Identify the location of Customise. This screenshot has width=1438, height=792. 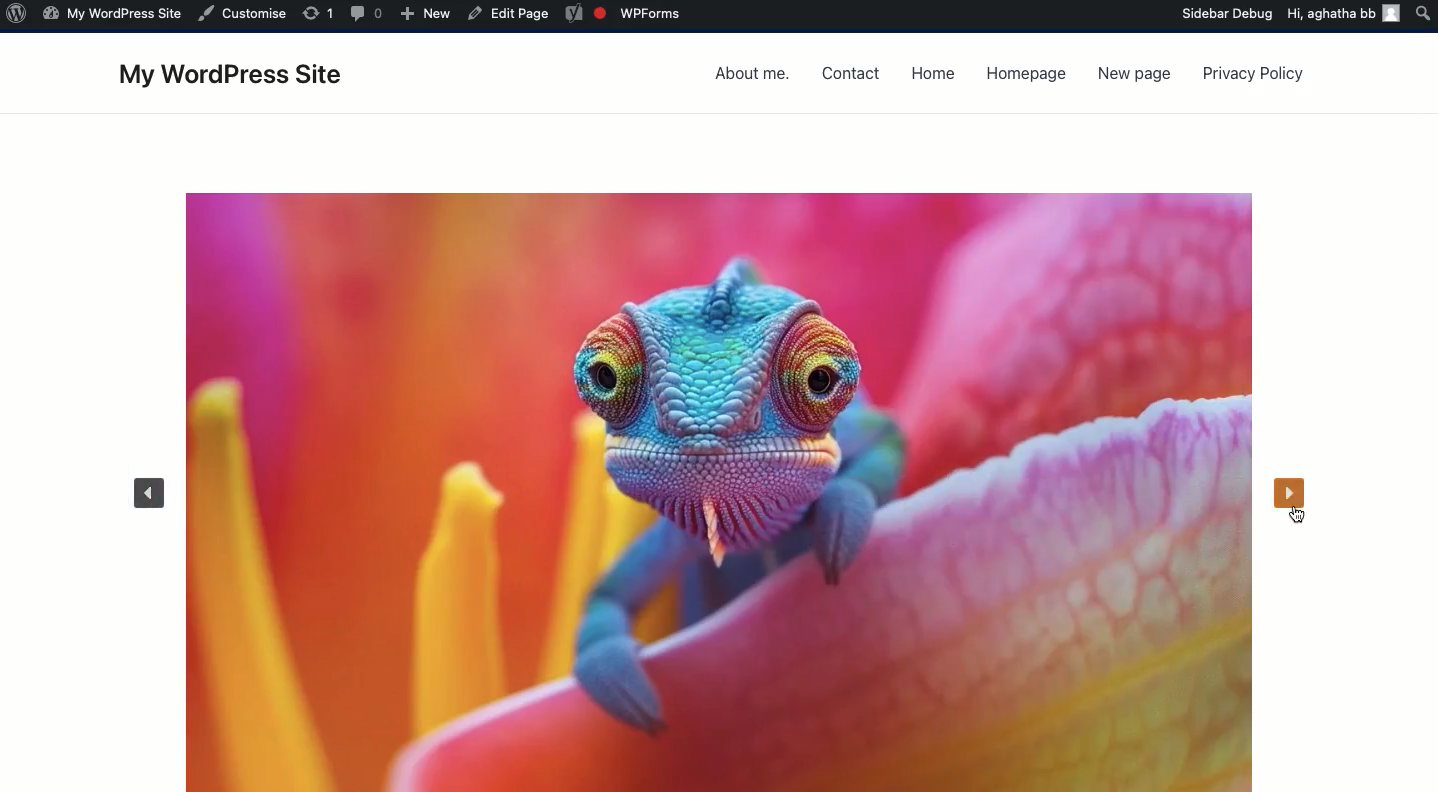
(245, 13).